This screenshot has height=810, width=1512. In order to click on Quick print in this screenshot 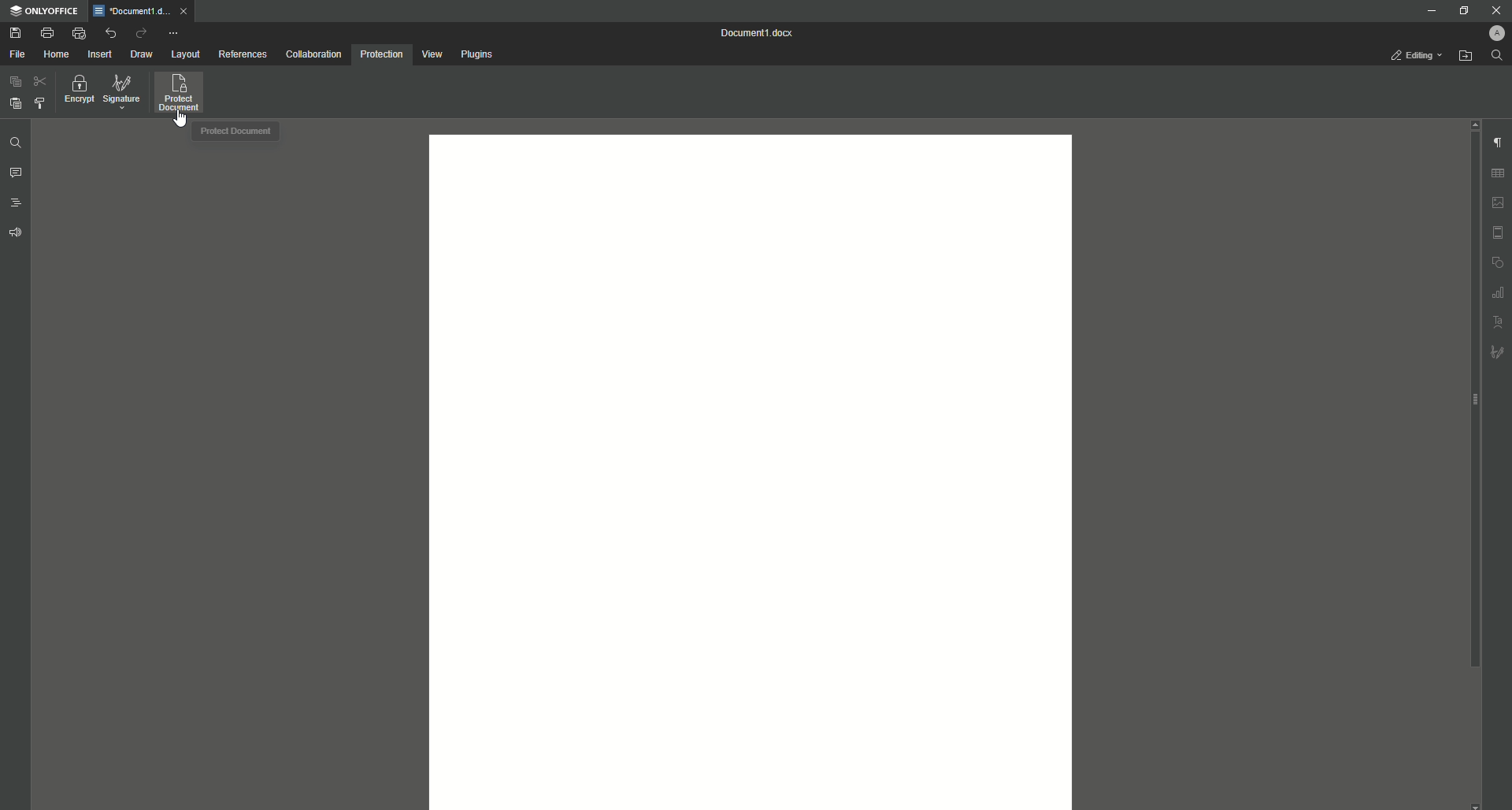, I will do `click(77, 32)`.